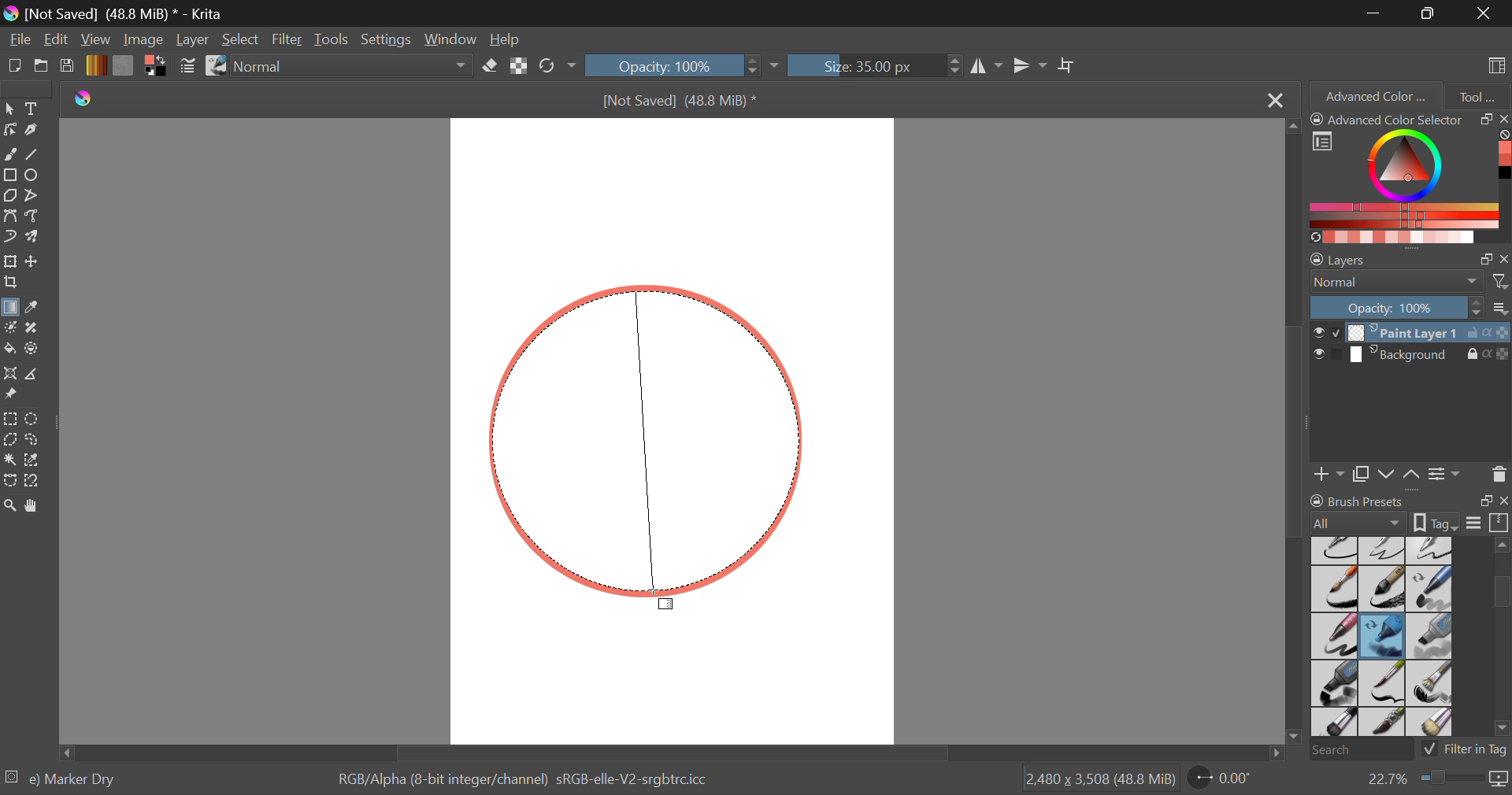 The image size is (1512, 795). What do you see at coordinates (10, 438) in the screenshot?
I see `Polygonal Selection Tool` at bounding box center [10, 438].